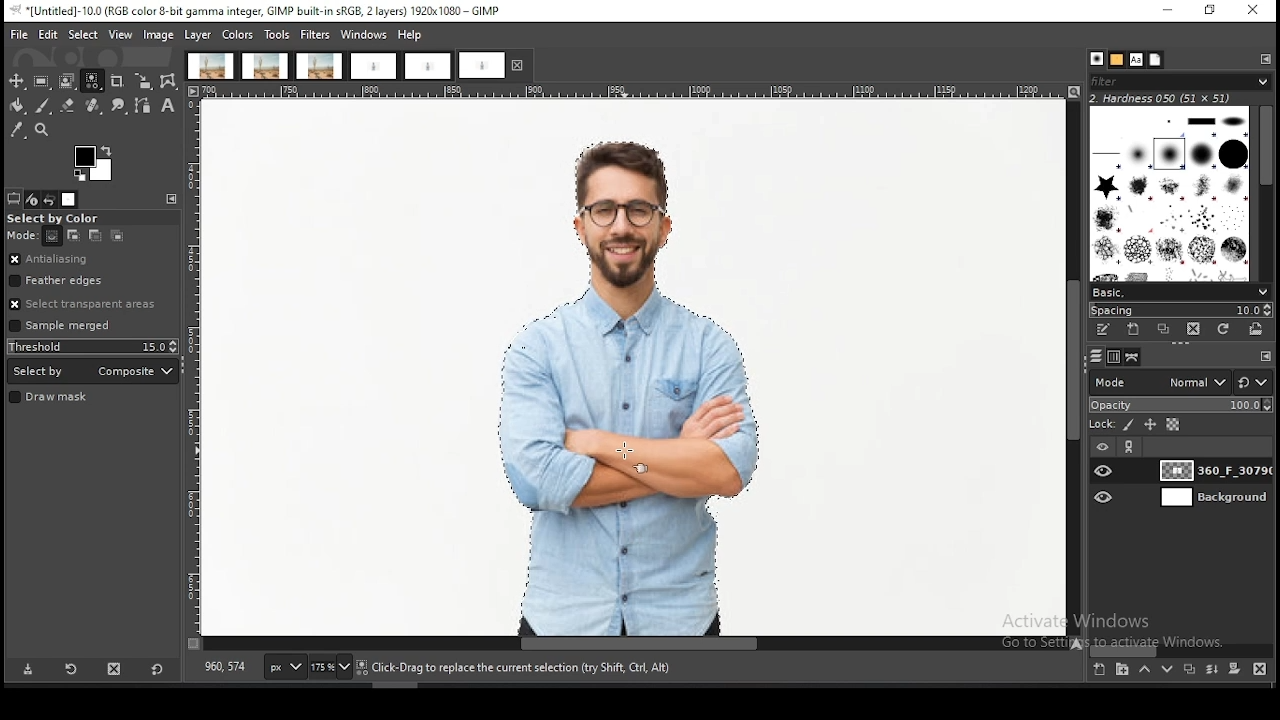 The height and width of the screenshot is (720, 1280). I want to click on move tool, so click(16, 81).